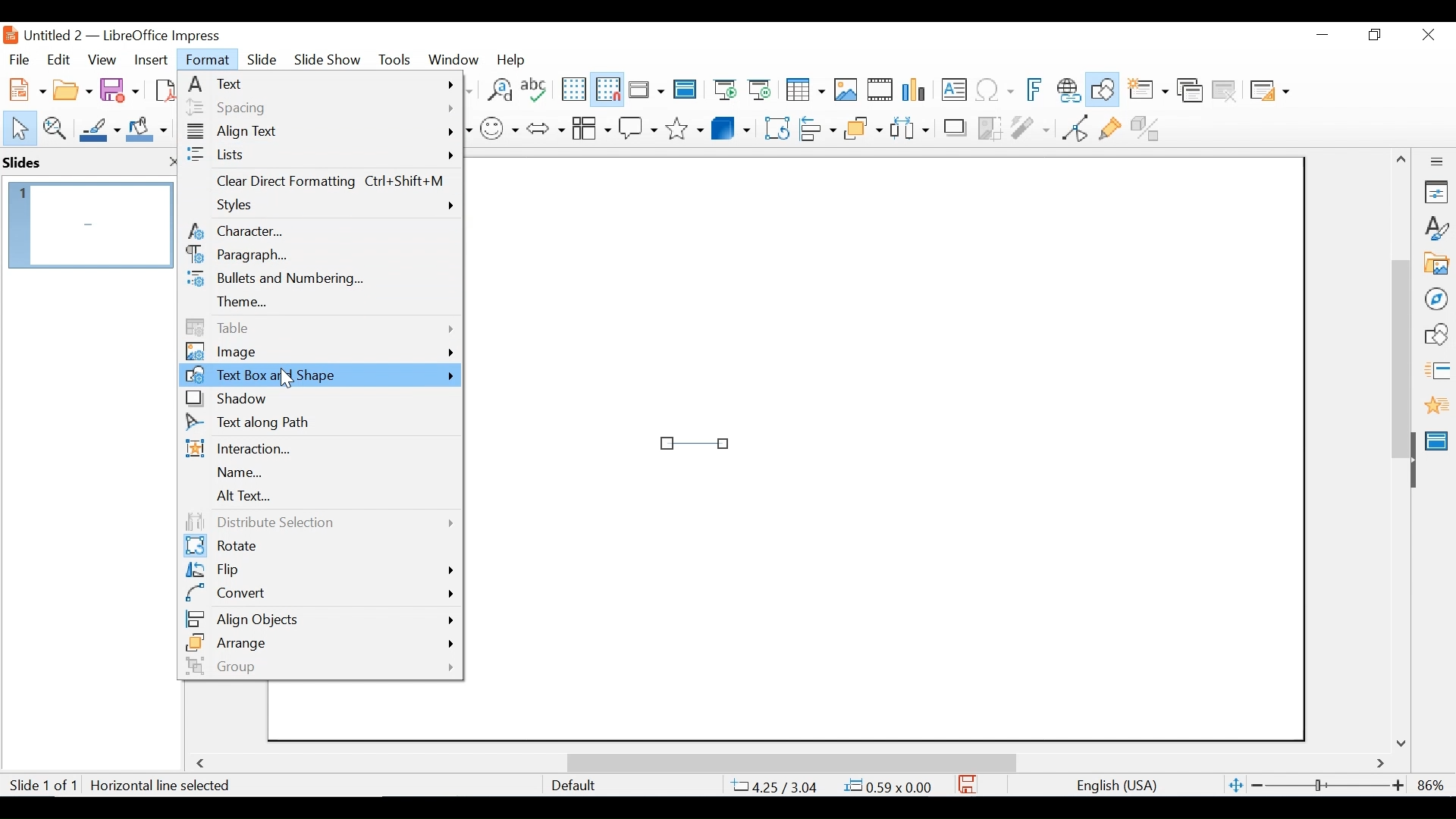 This screenshot has height=819, width=1456. Describe the element at coordinates (394, 59) in the screenshot. I see `Tools` at that location.